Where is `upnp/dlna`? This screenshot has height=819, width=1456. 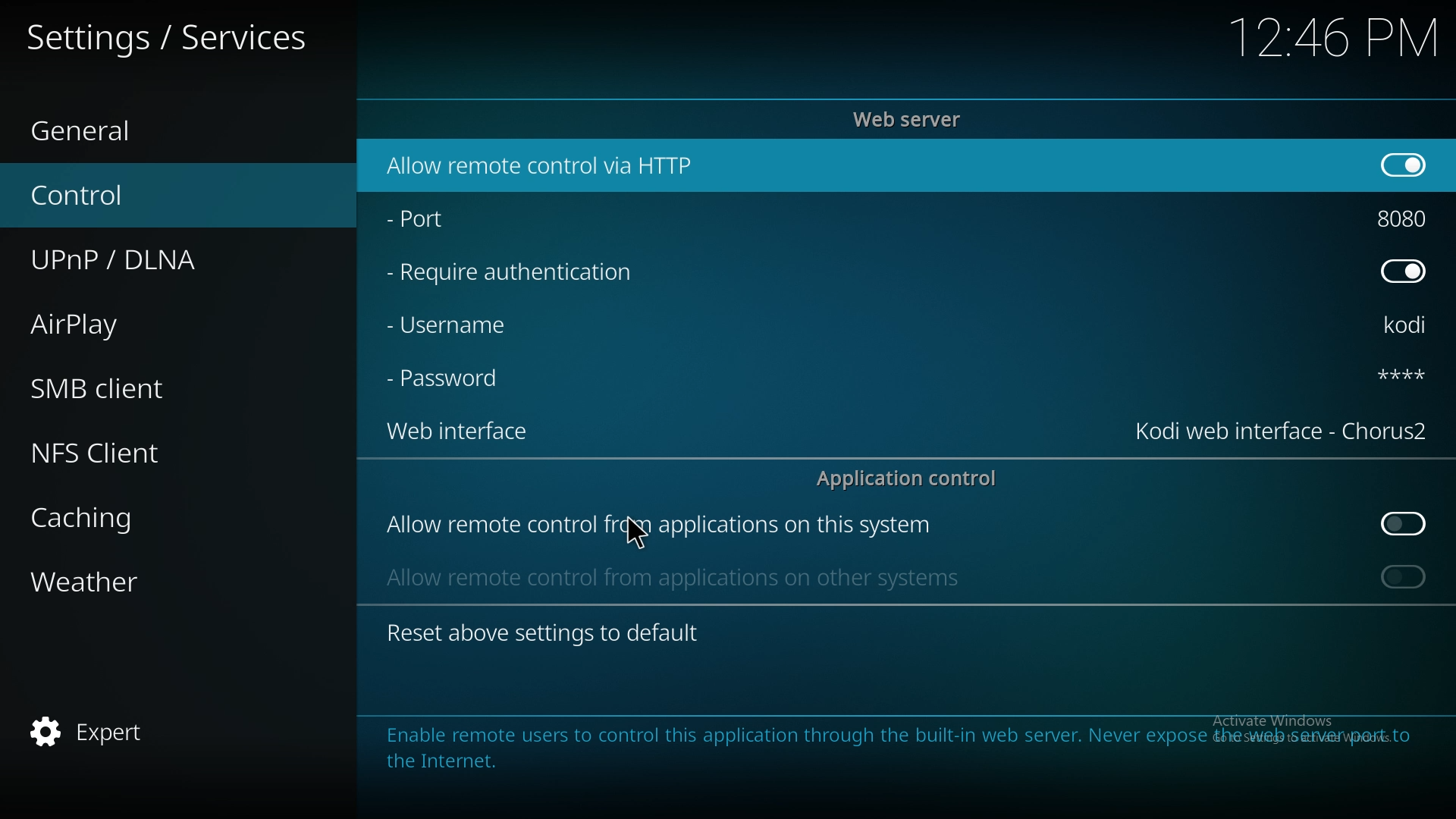 upnp/dlna is located at coordinates (156, 254).